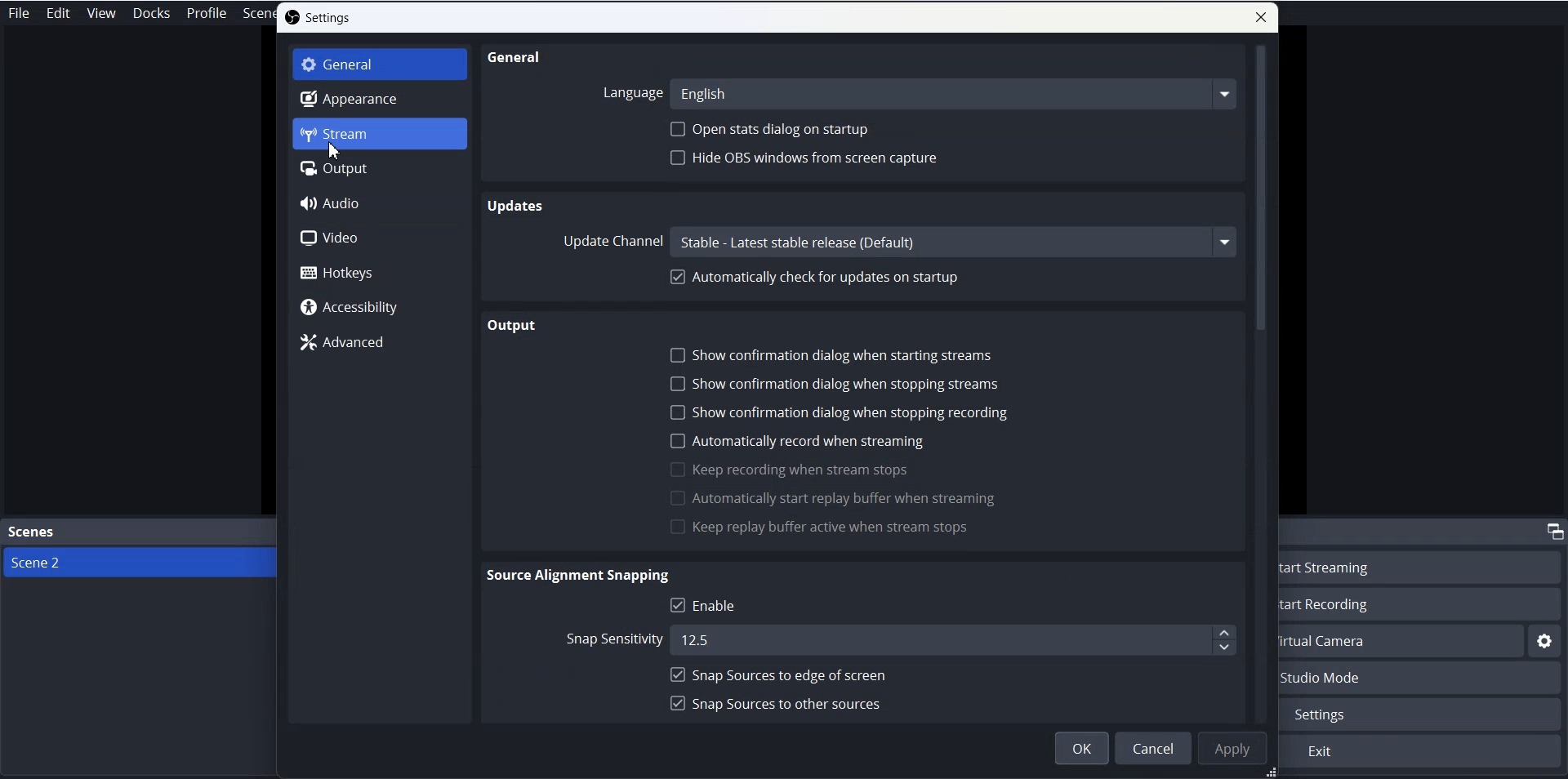 The height and width of the screenshot is (779, 1568). What do you see at coordinates (139, 562) in the screenshot?
I see `Scene 2` at bounding box center [139, 562].